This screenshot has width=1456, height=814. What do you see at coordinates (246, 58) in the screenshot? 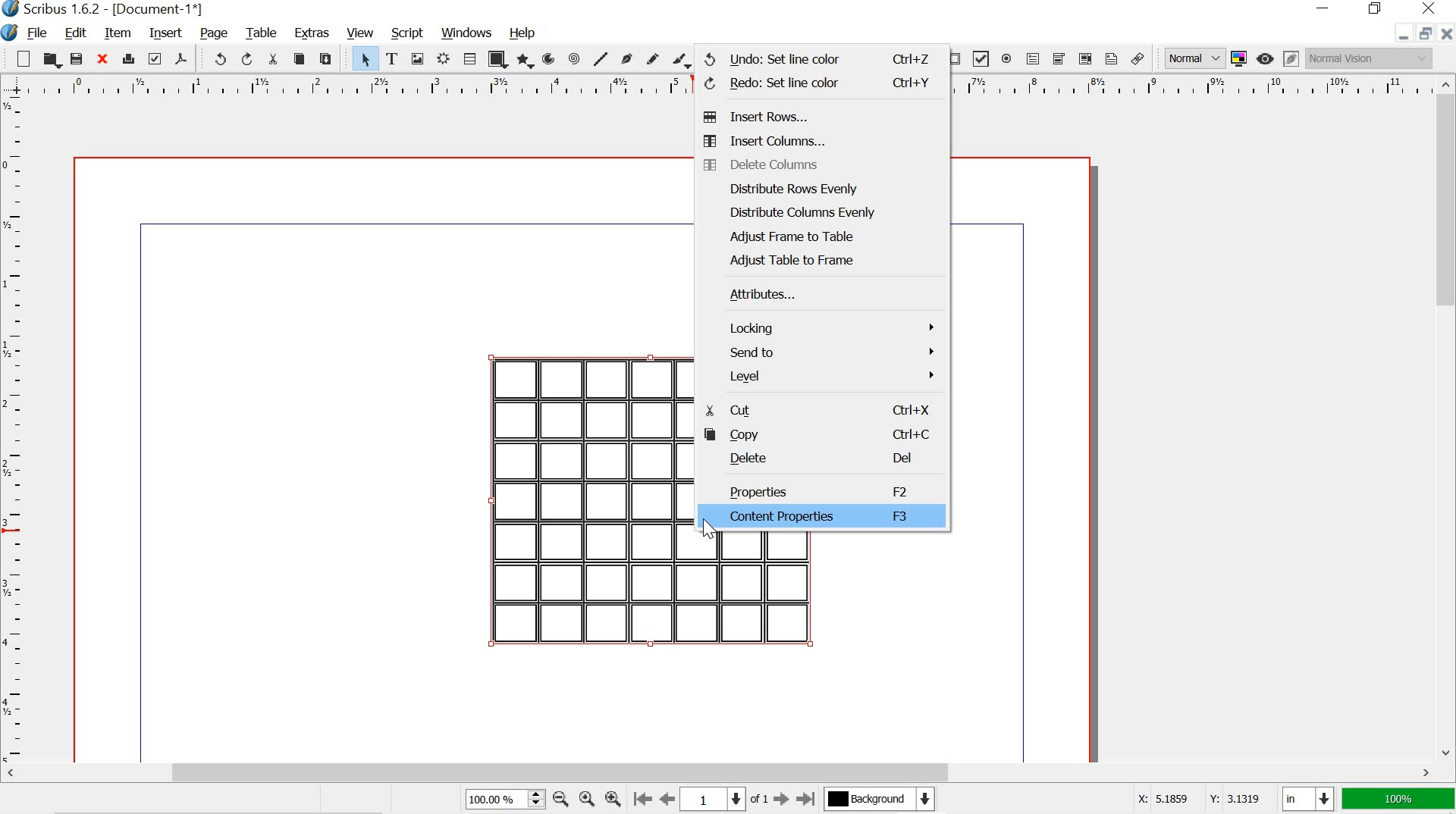
I see `redo` at bounding box center [246, 58].